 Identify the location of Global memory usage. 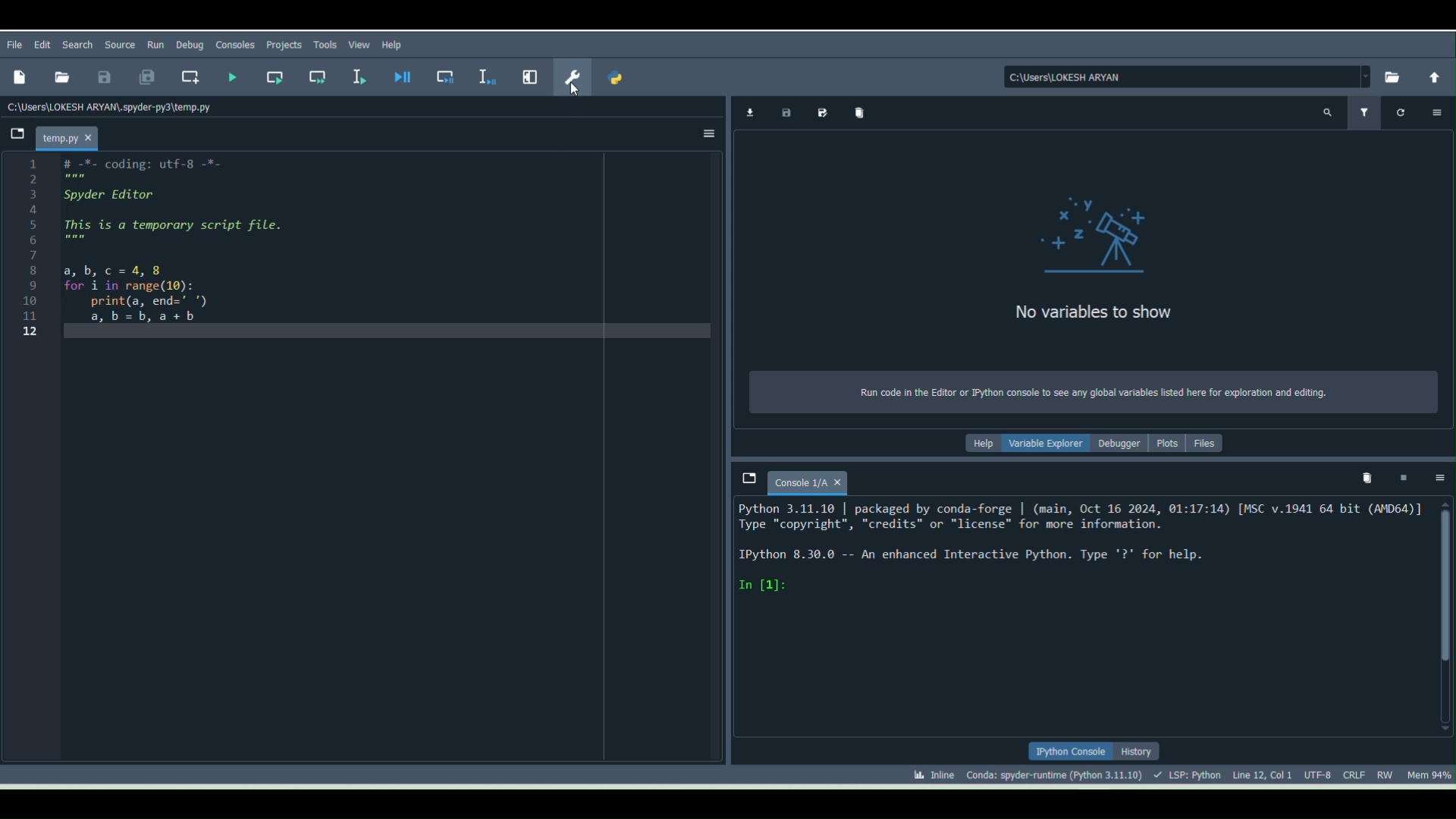
(1428, 772).